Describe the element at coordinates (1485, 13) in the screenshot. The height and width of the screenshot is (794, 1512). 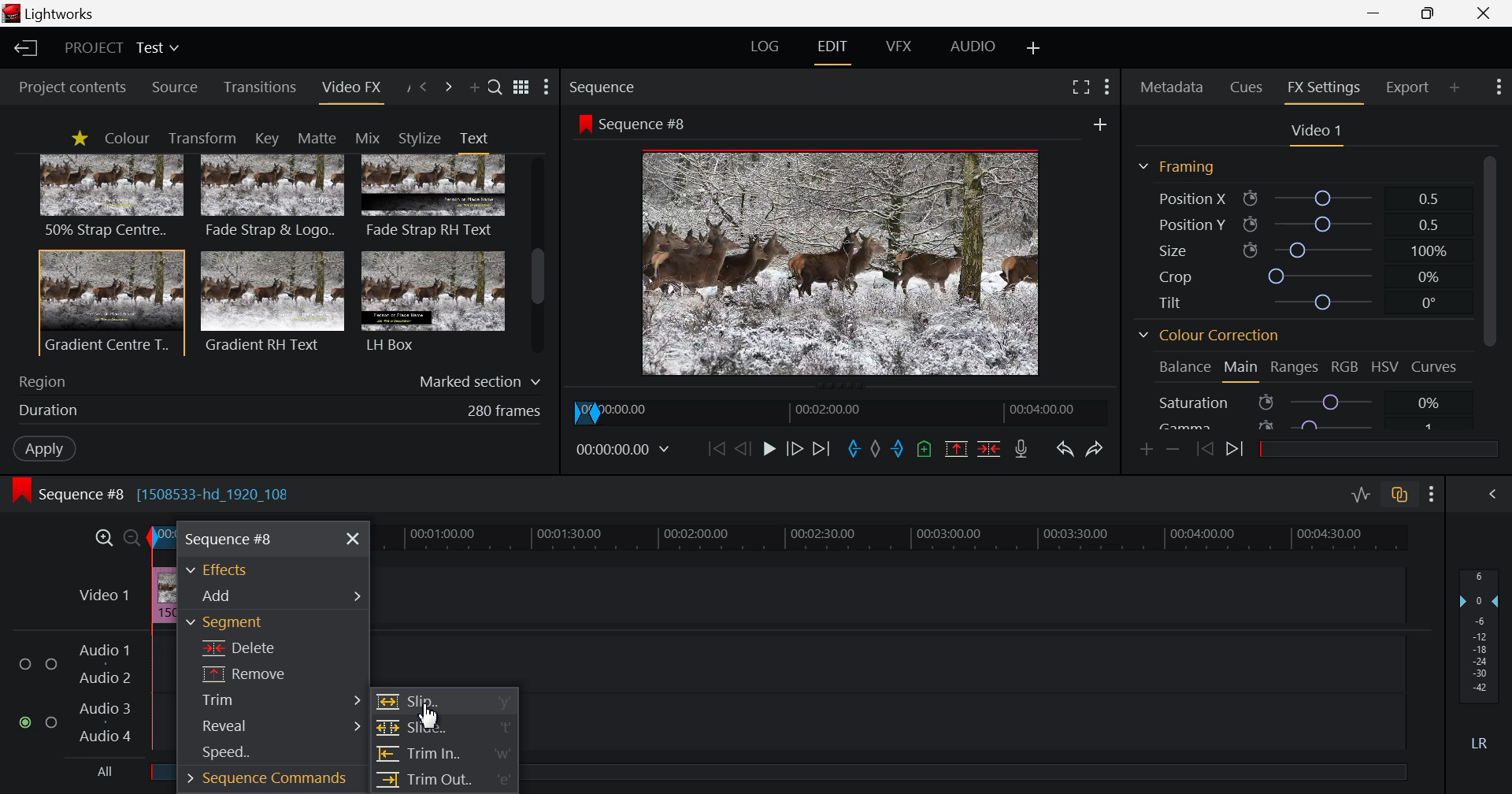
I see `Close` at that location.